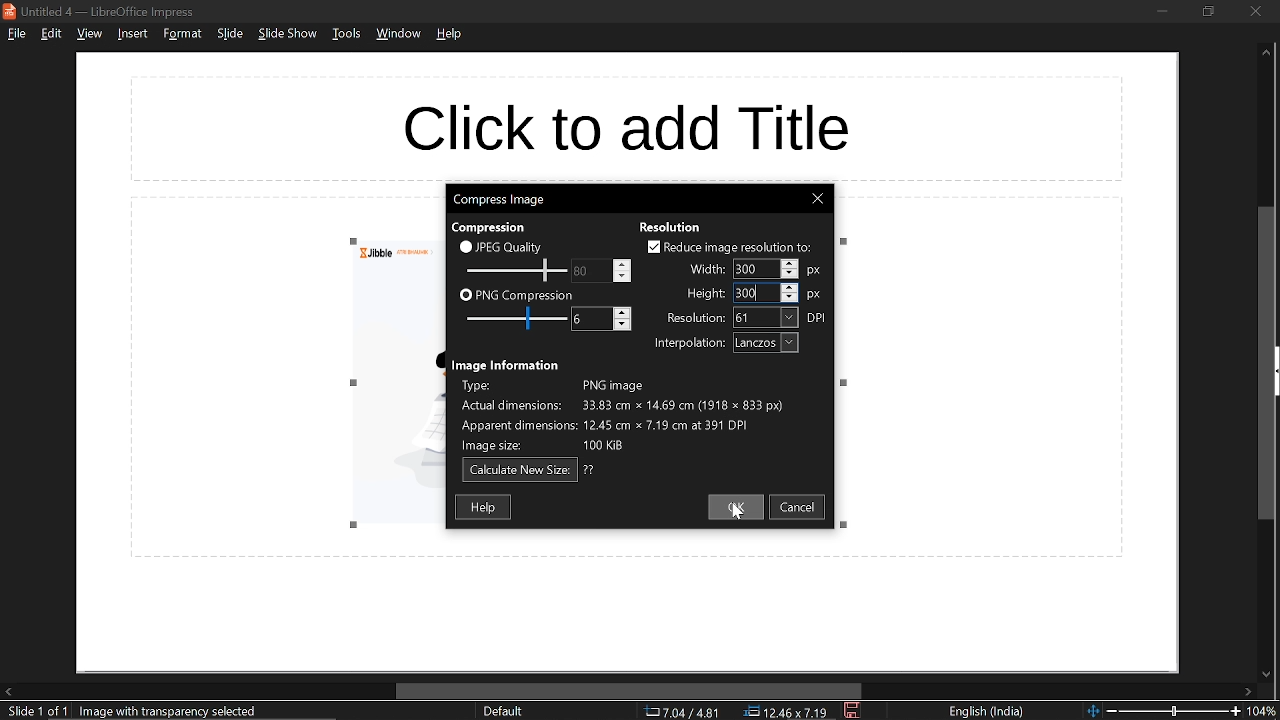 Image resolution: width=1280 pixels, height=720 pixels. I want to click on Decrease , so click(791, 298).